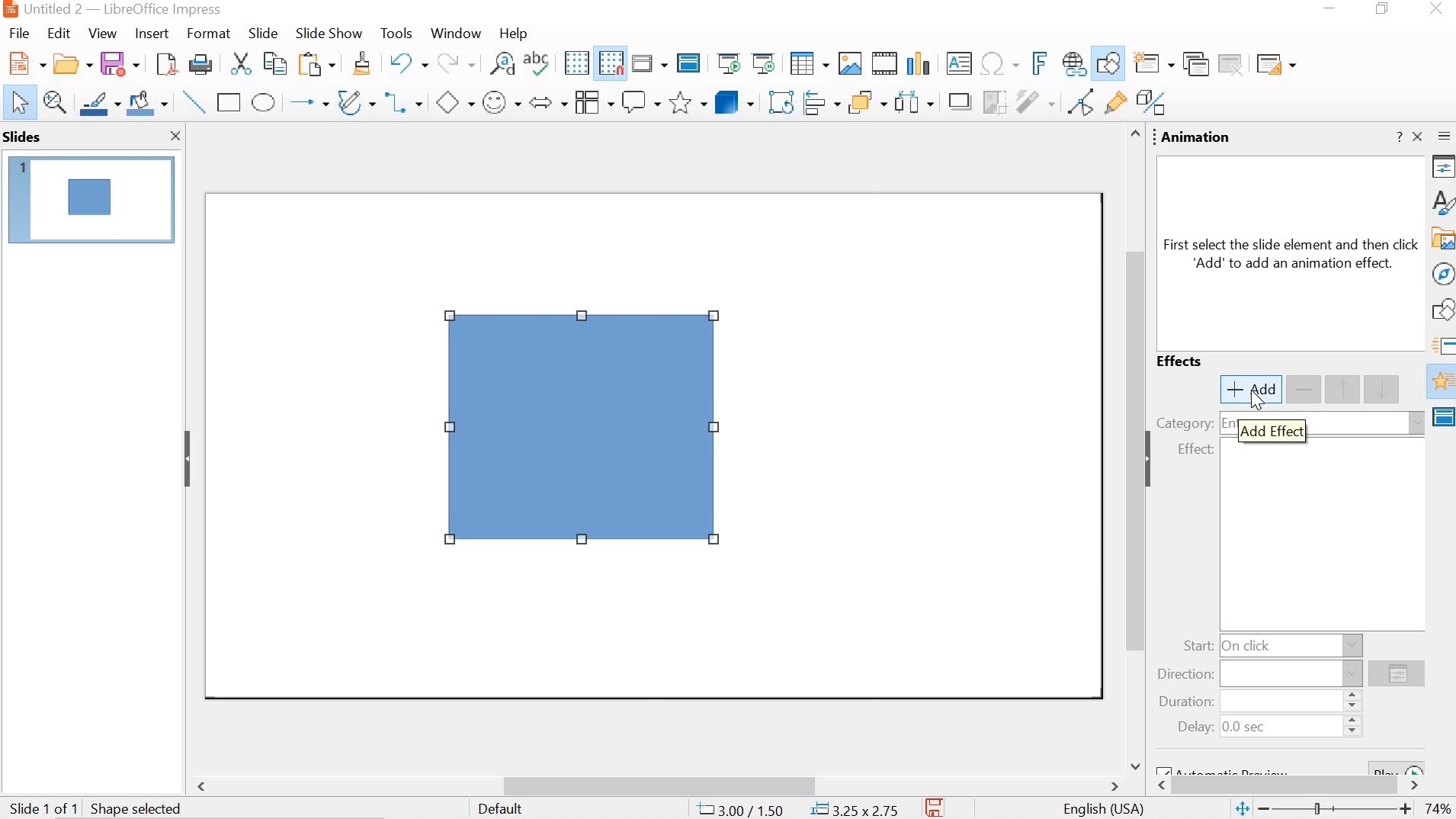 The image size is (1456, 819). Describe the element at coordinates (24, 62) in the screenshot. I see `open` at that location.